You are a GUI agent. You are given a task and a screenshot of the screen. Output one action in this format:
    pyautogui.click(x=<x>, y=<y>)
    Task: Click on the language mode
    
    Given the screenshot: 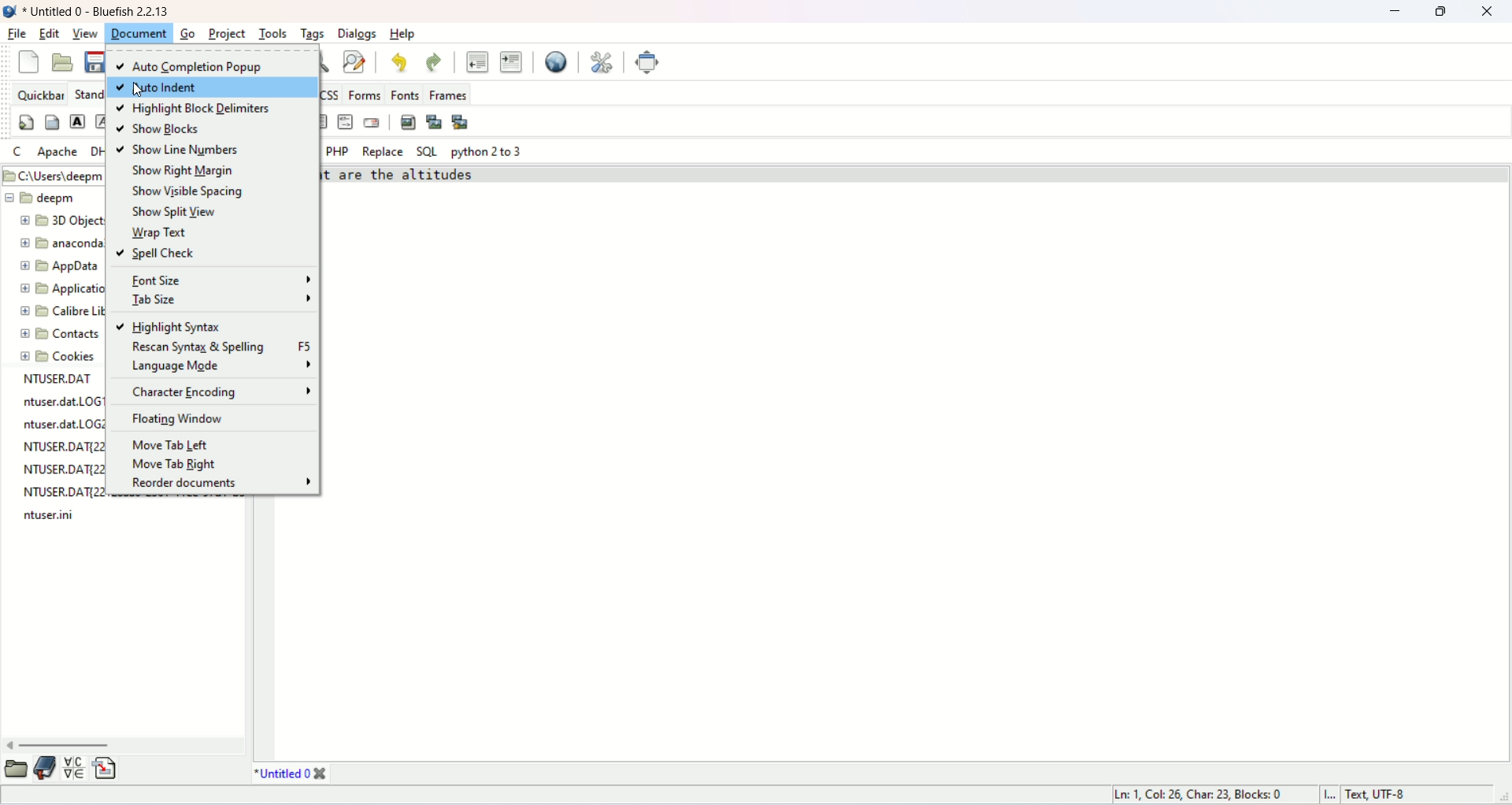 What is the action you would take?
    pyautogui.click(x=220, y=364)
    